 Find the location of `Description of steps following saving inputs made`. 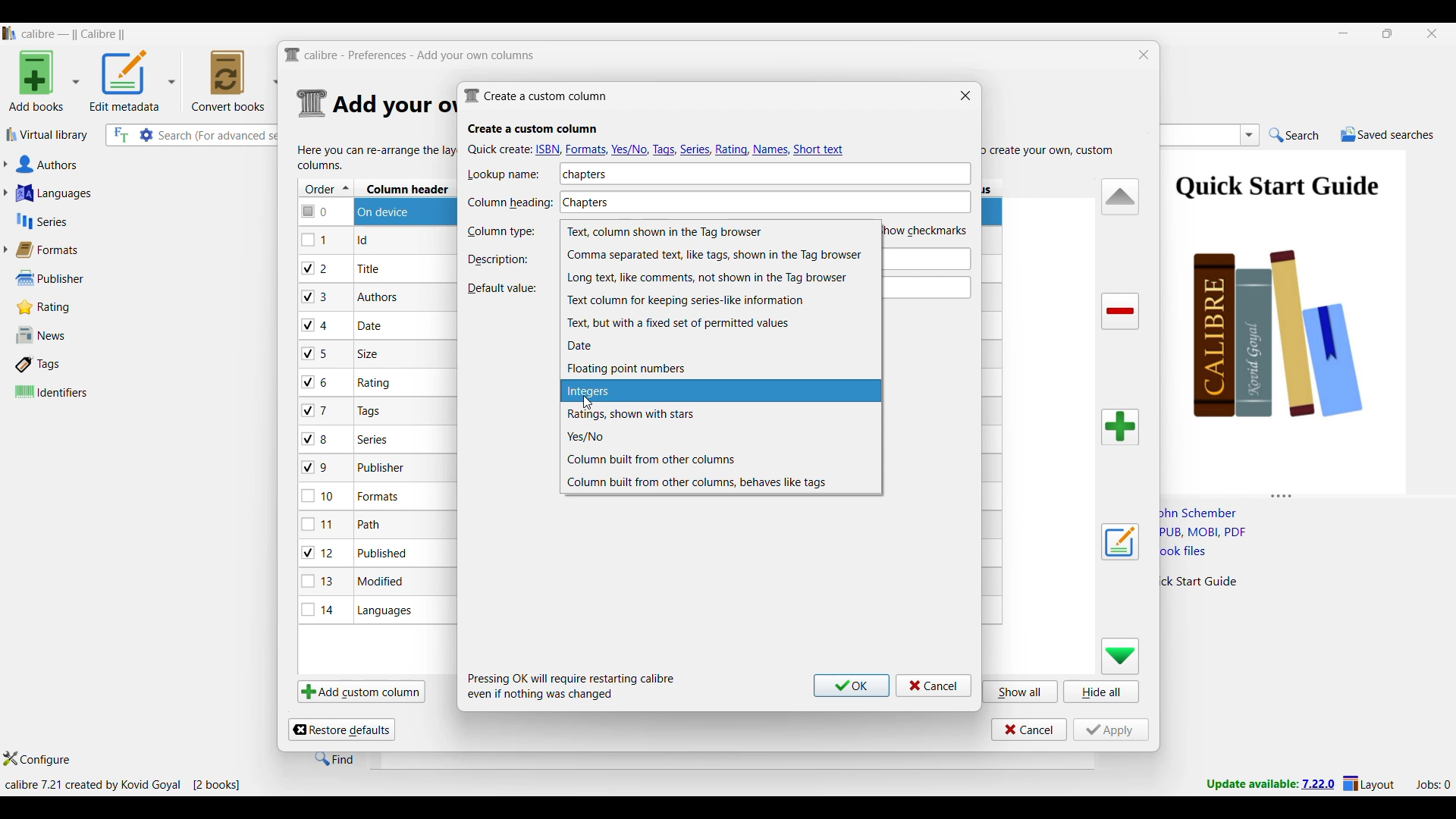

Description of steps following saving inputs made is located at coordinates (572, 686).